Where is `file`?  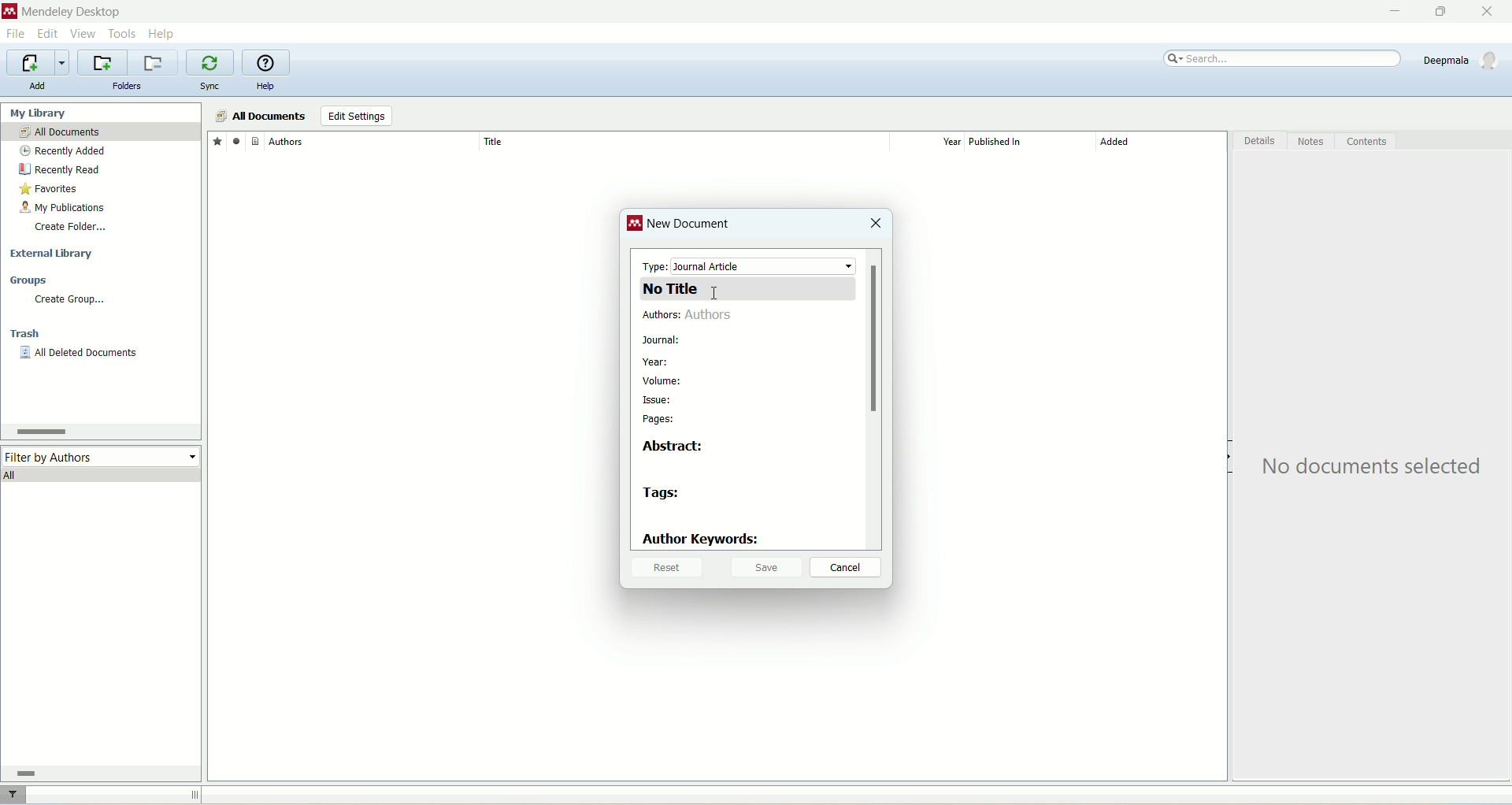
file is located at coordinates (15, 35).